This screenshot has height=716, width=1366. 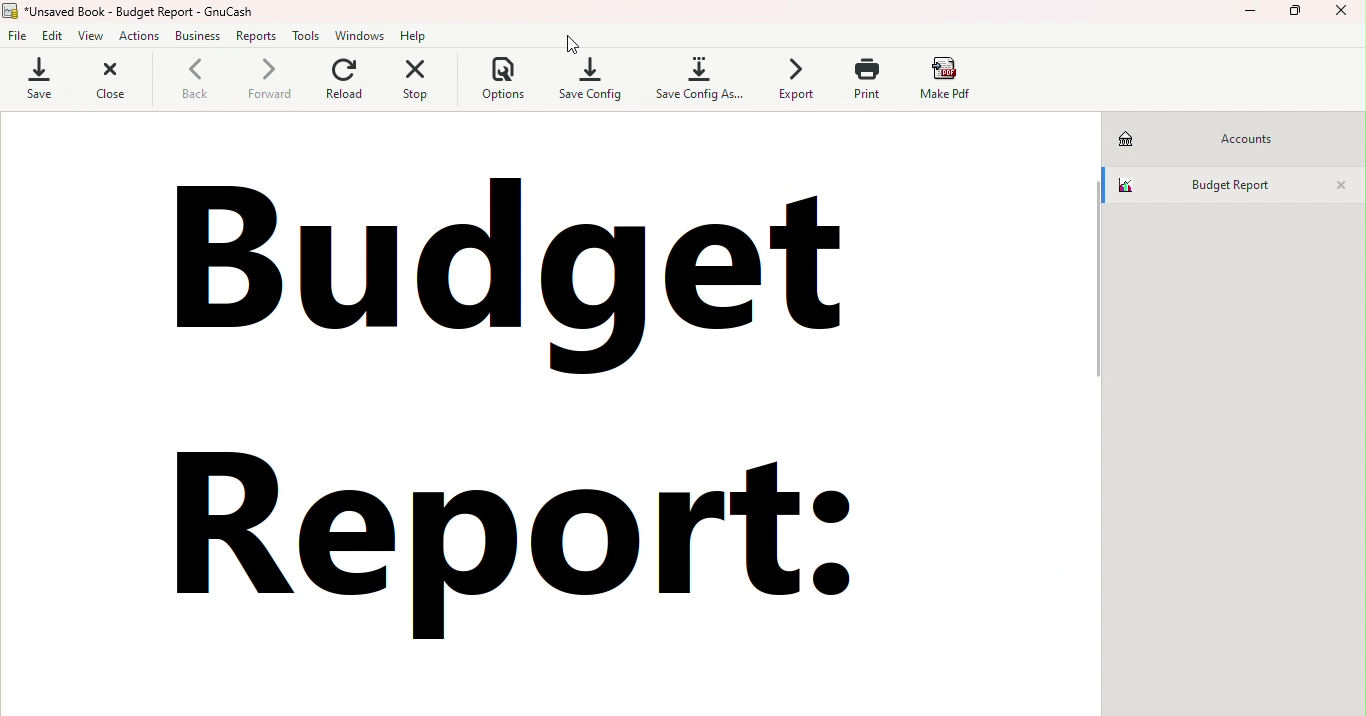 I want to click on Options, so click(x=505, y=81).